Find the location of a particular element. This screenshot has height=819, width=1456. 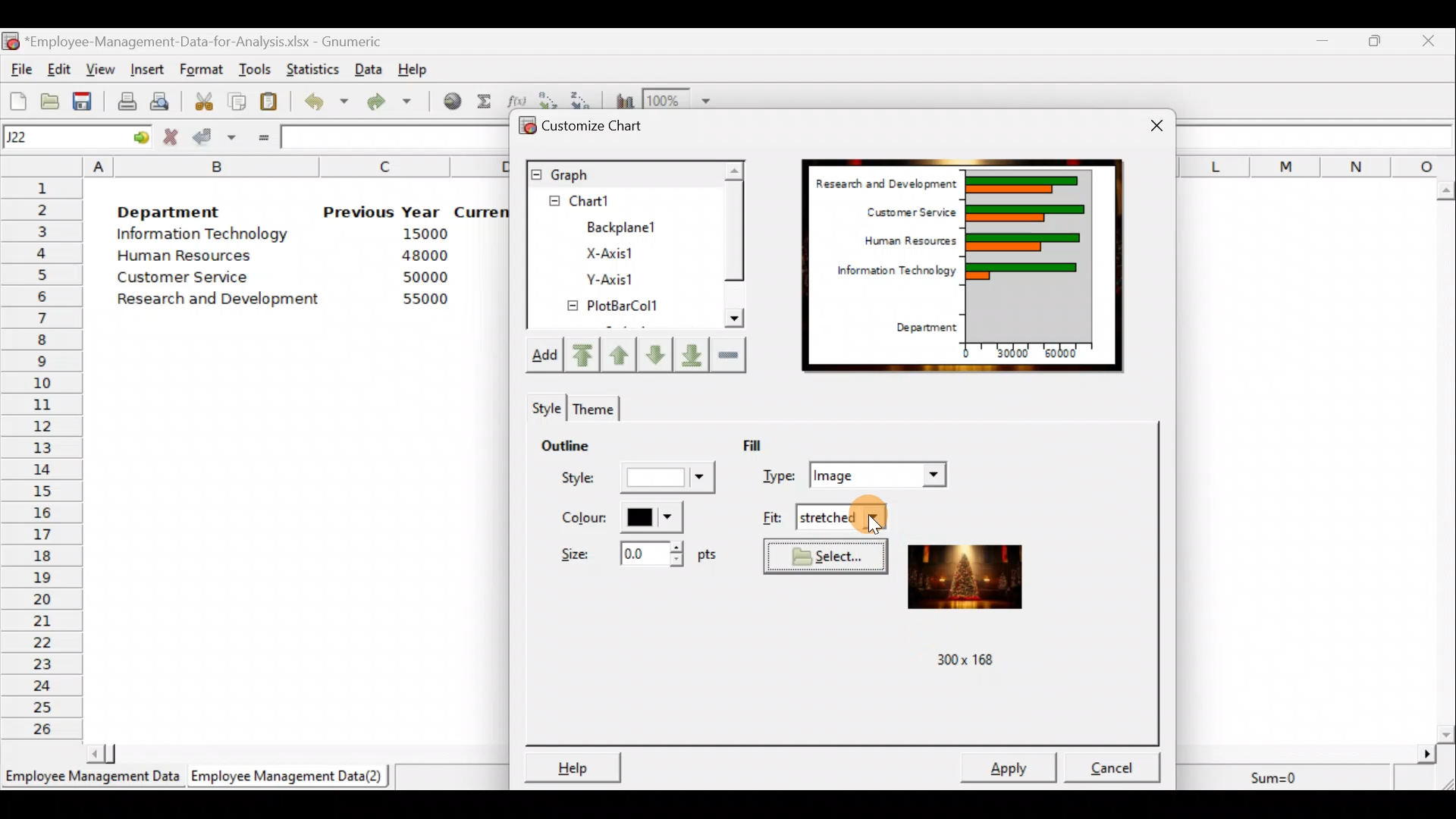

Cut the selection is located at coordinates (206, 104).